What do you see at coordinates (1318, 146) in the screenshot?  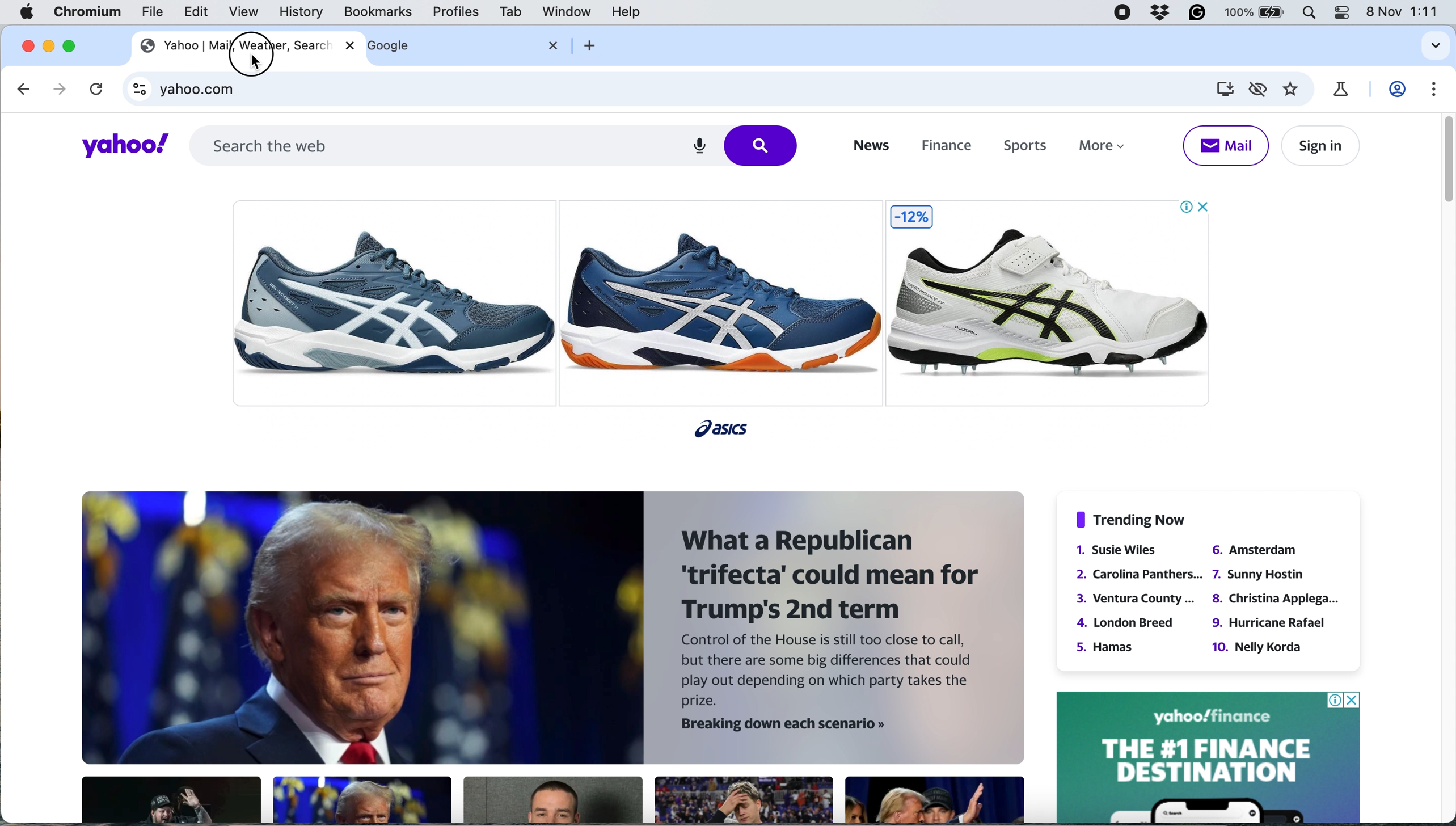 I see `sign in` at bounding box center [1318, 146].